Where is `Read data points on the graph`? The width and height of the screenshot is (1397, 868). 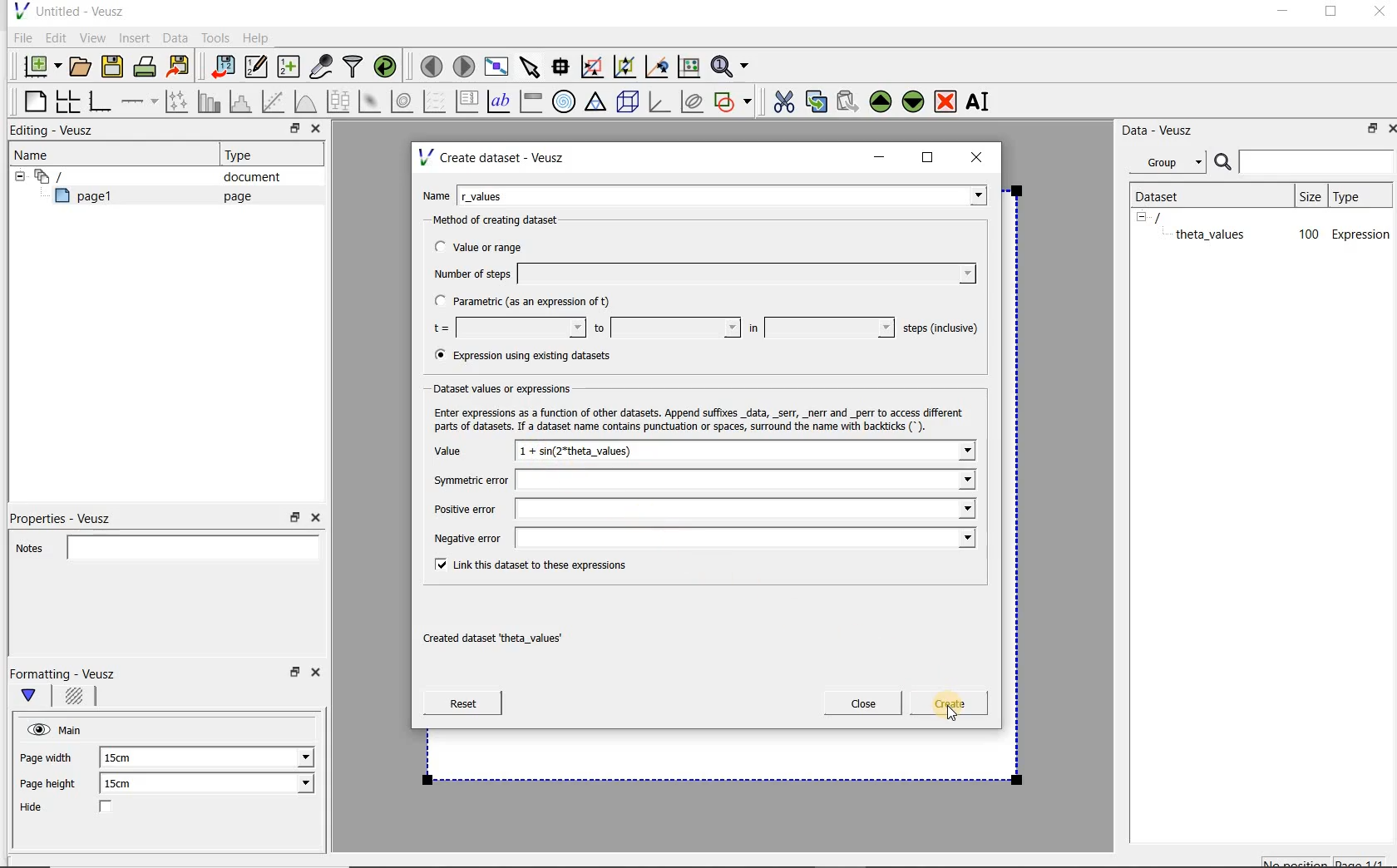 Read data points on the graph is located at coordinates (563, 67).